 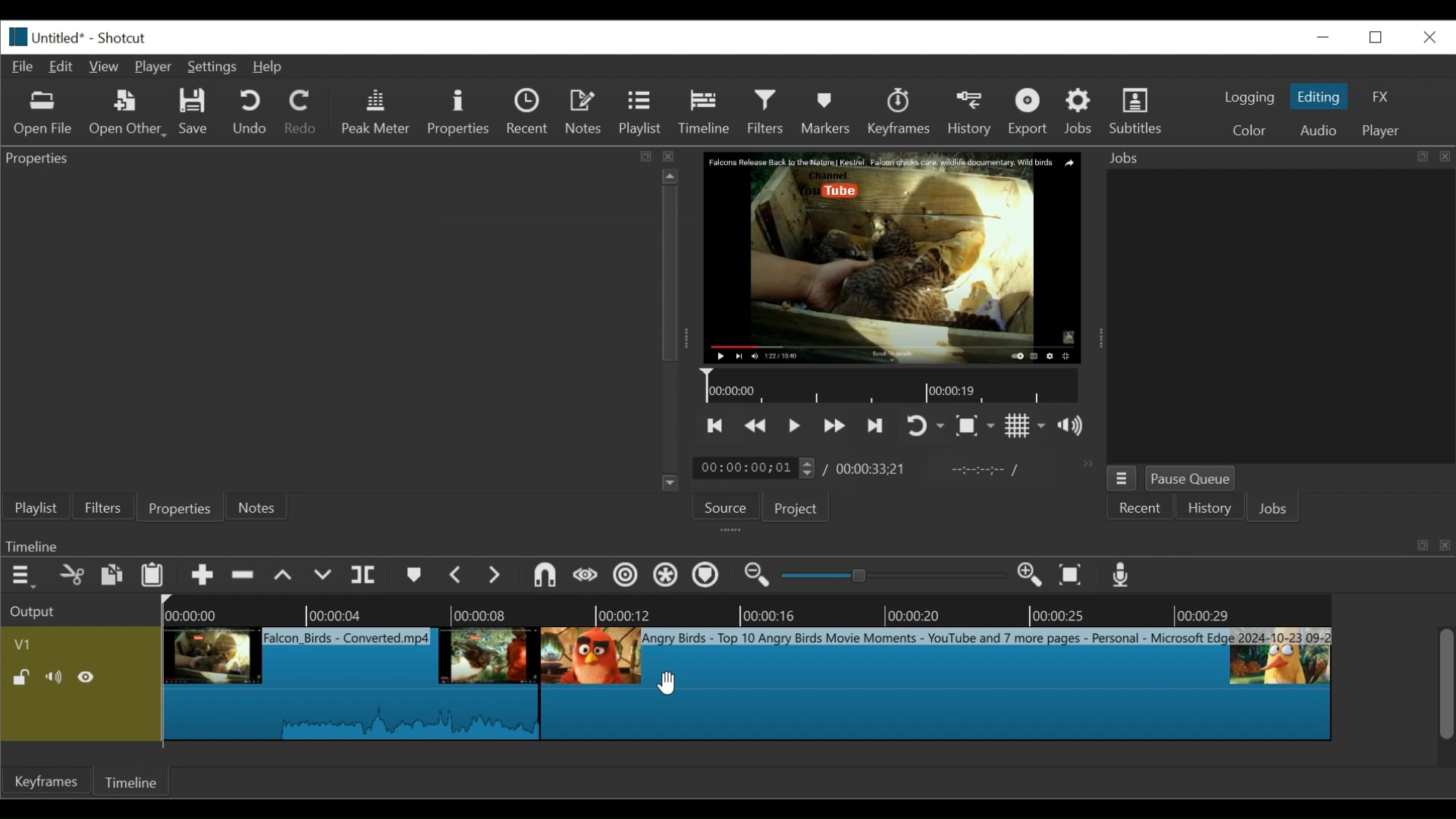 I want to click on Color, so click(x=1247, y=128).